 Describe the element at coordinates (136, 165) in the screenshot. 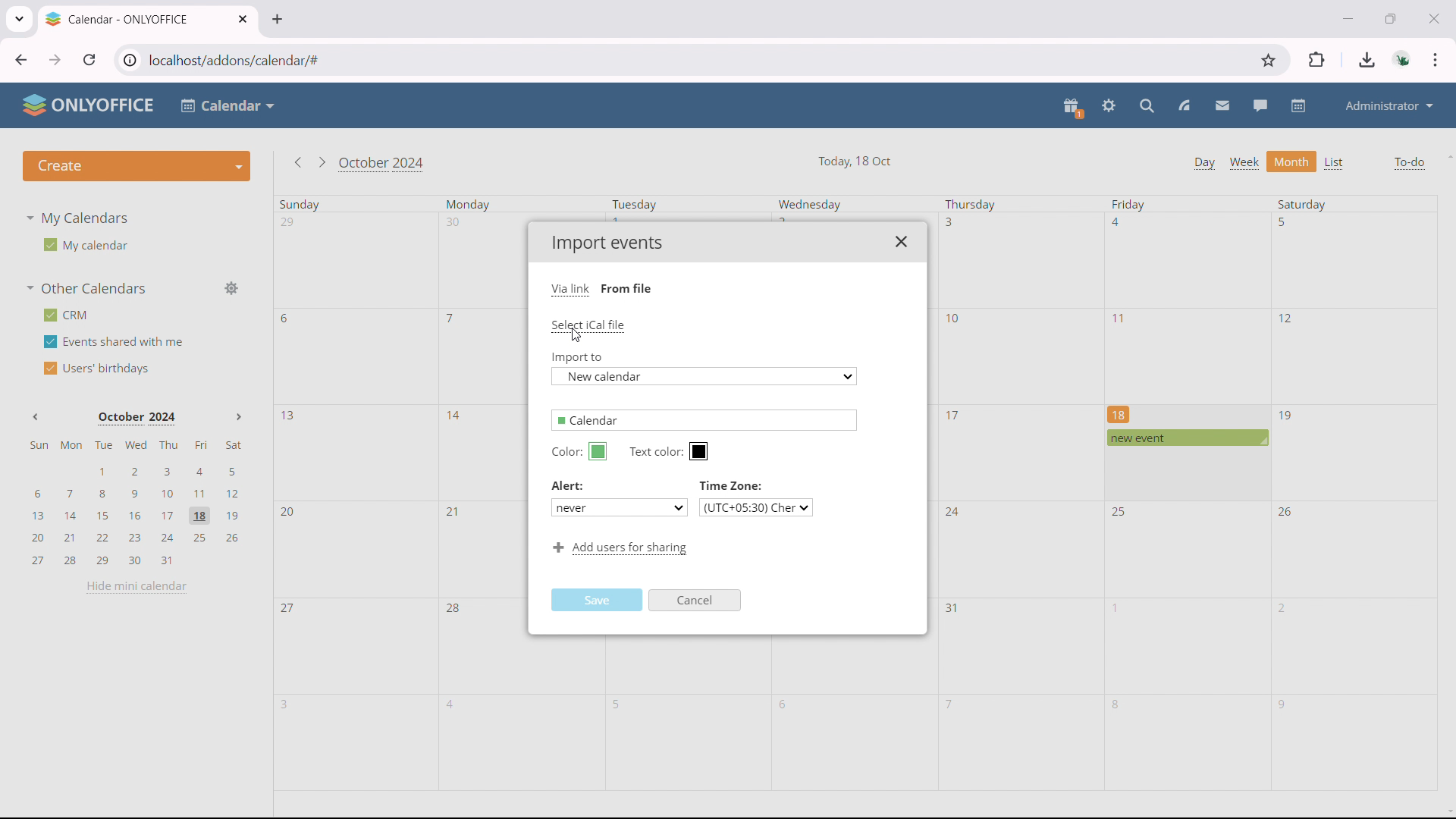

I see `create` at that location.